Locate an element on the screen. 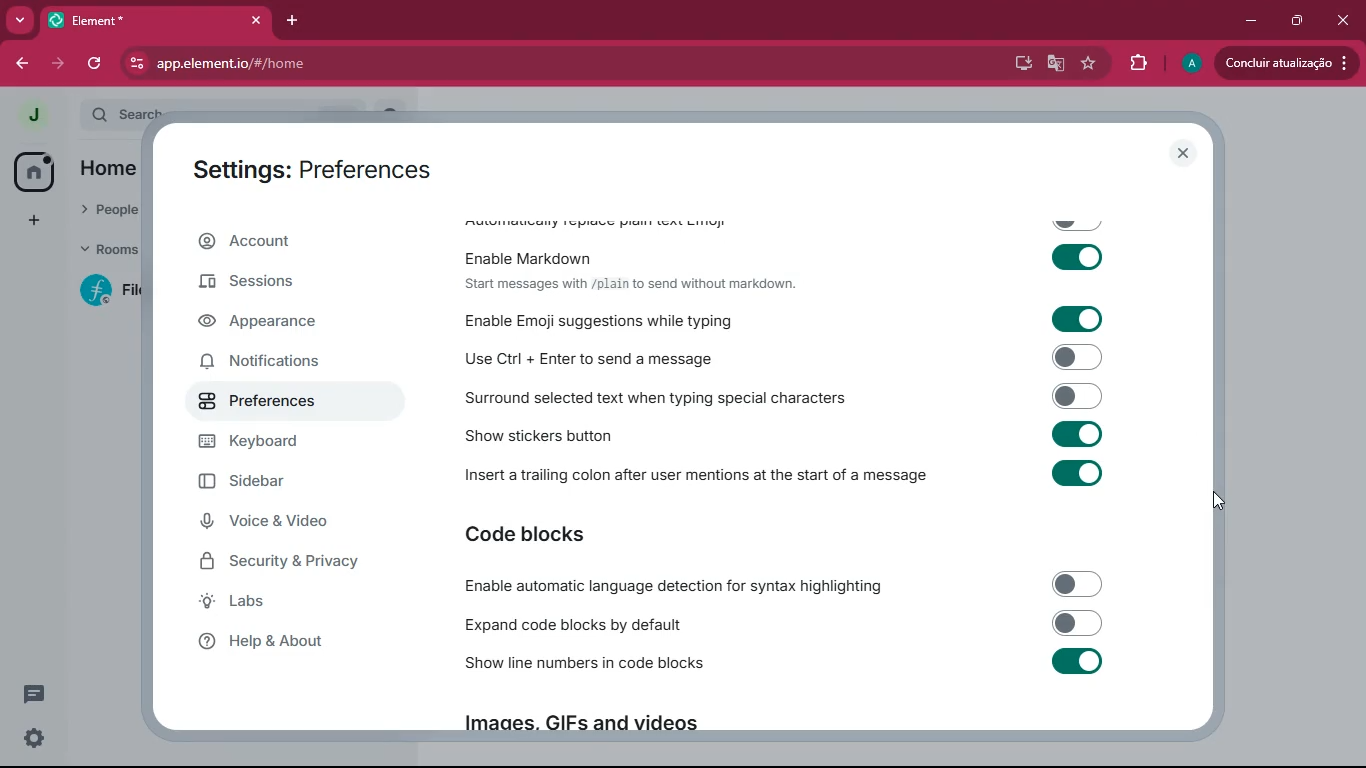 The width and height of the screenshot is (1366, 768). forward is located at coordinates (60, 63).